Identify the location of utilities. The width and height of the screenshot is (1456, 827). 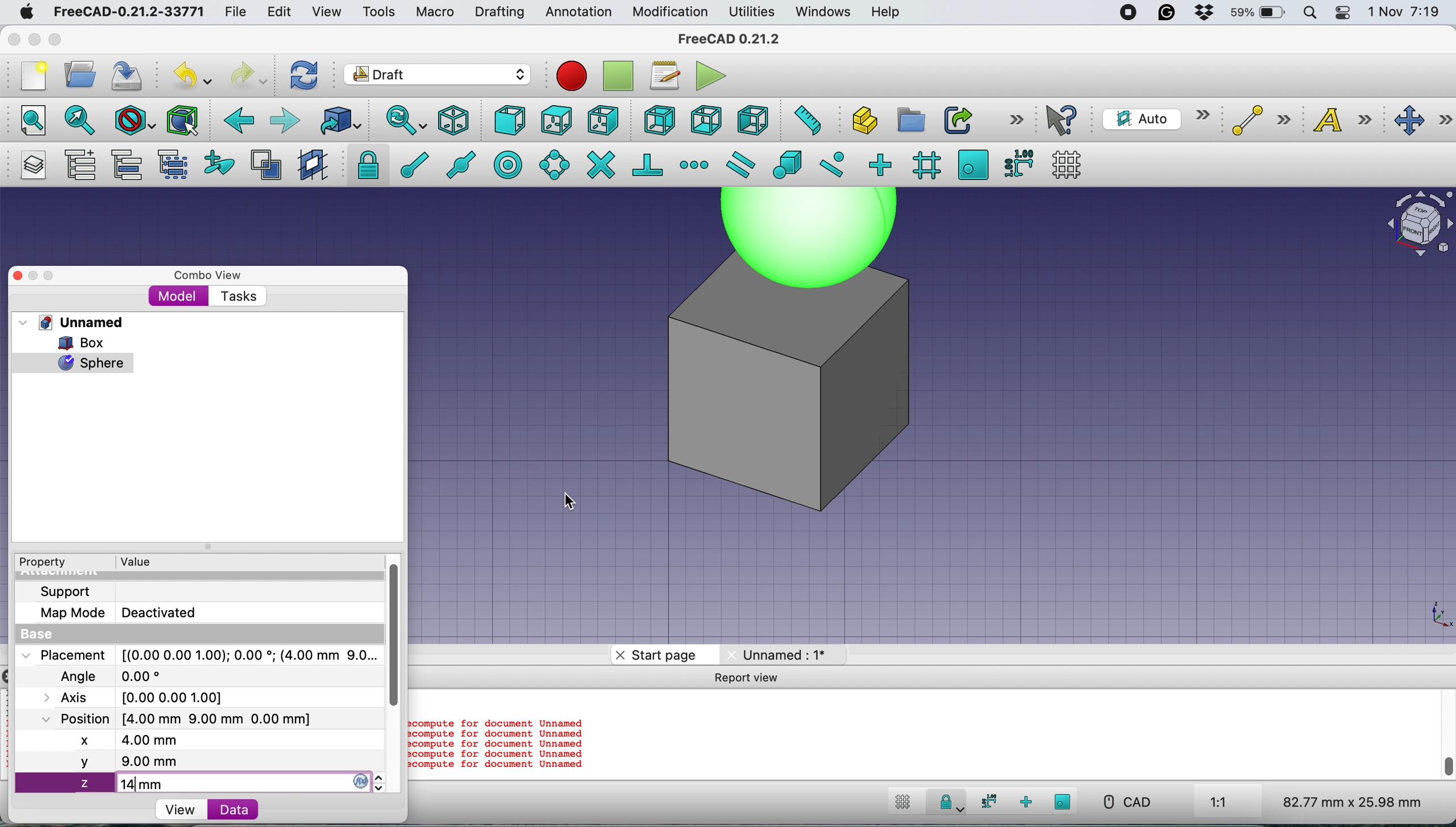
(753, 12).